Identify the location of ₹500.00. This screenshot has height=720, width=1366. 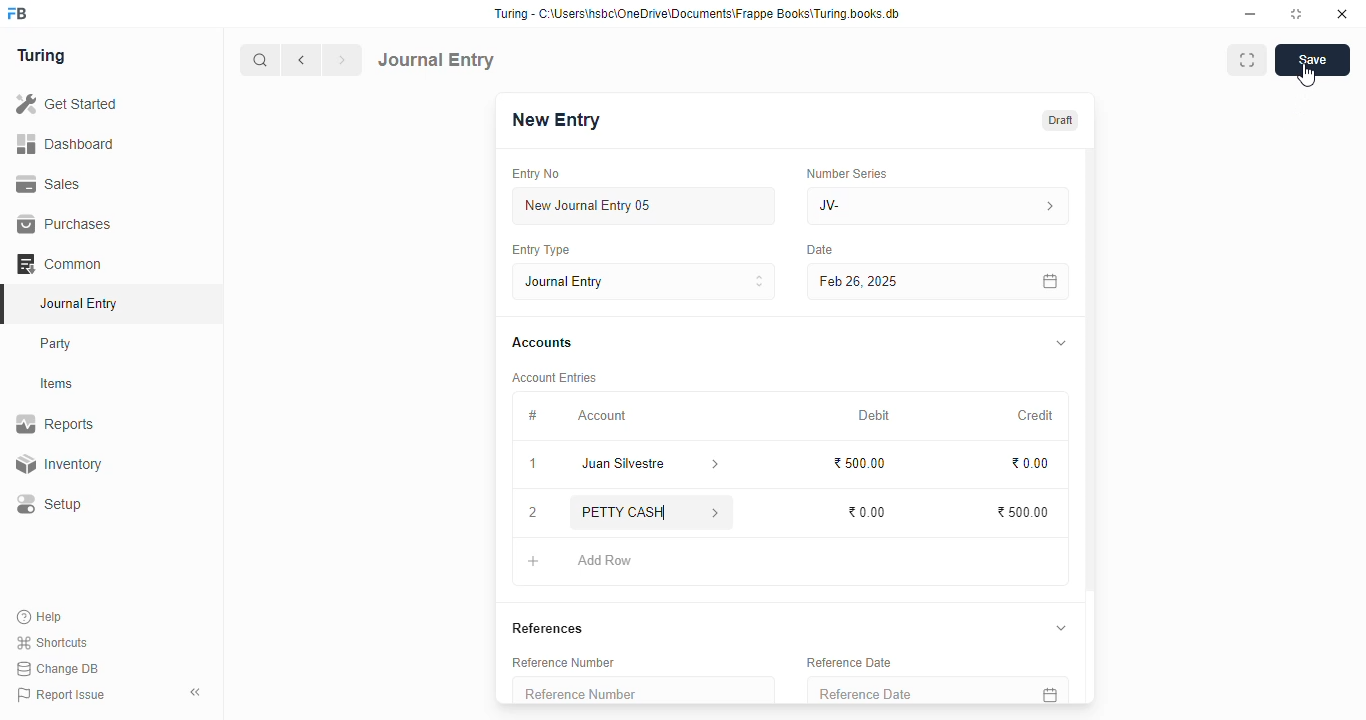
(1024, 511).